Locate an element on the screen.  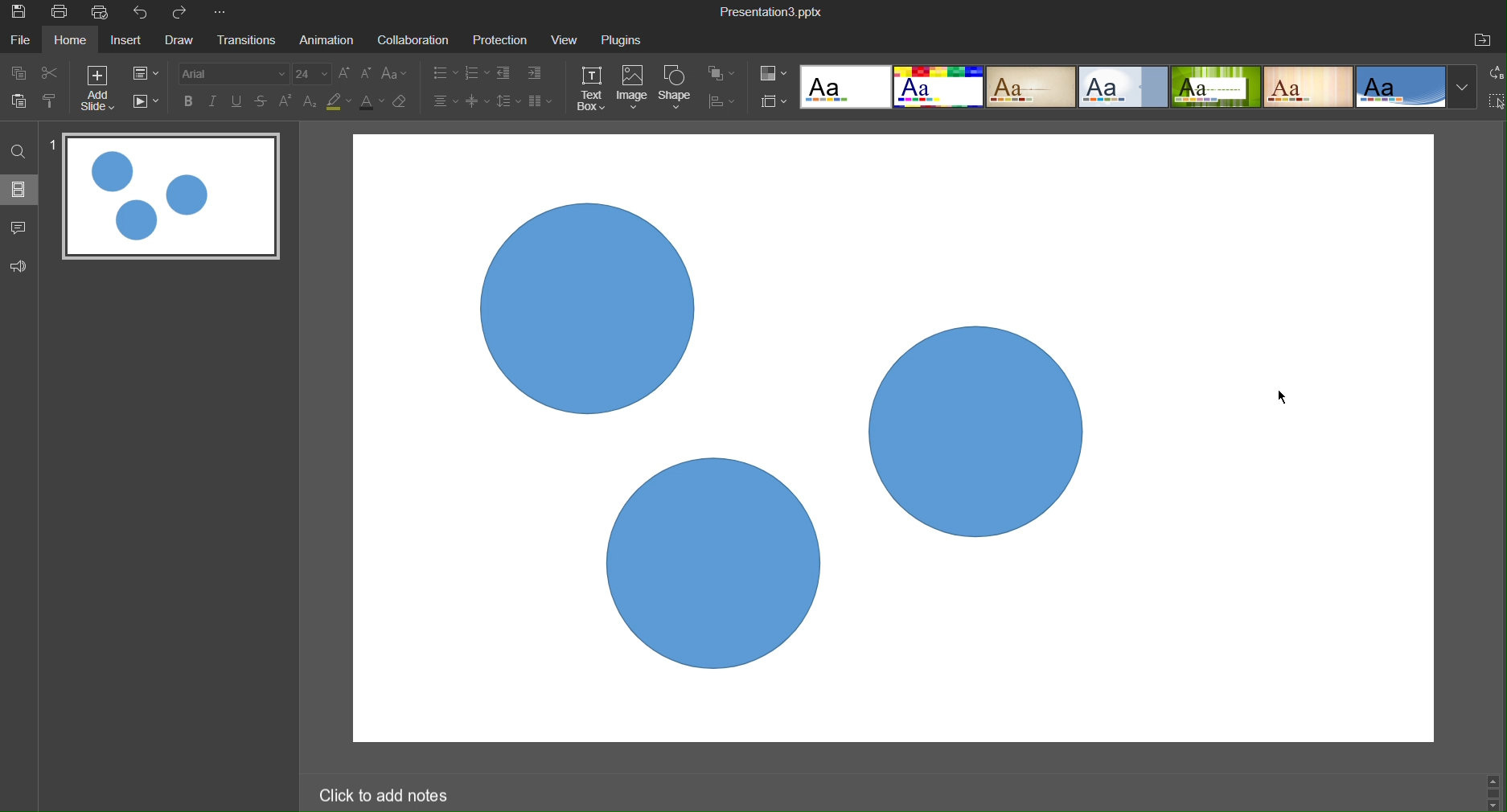
Plugins is located at coordinates (628, 39).